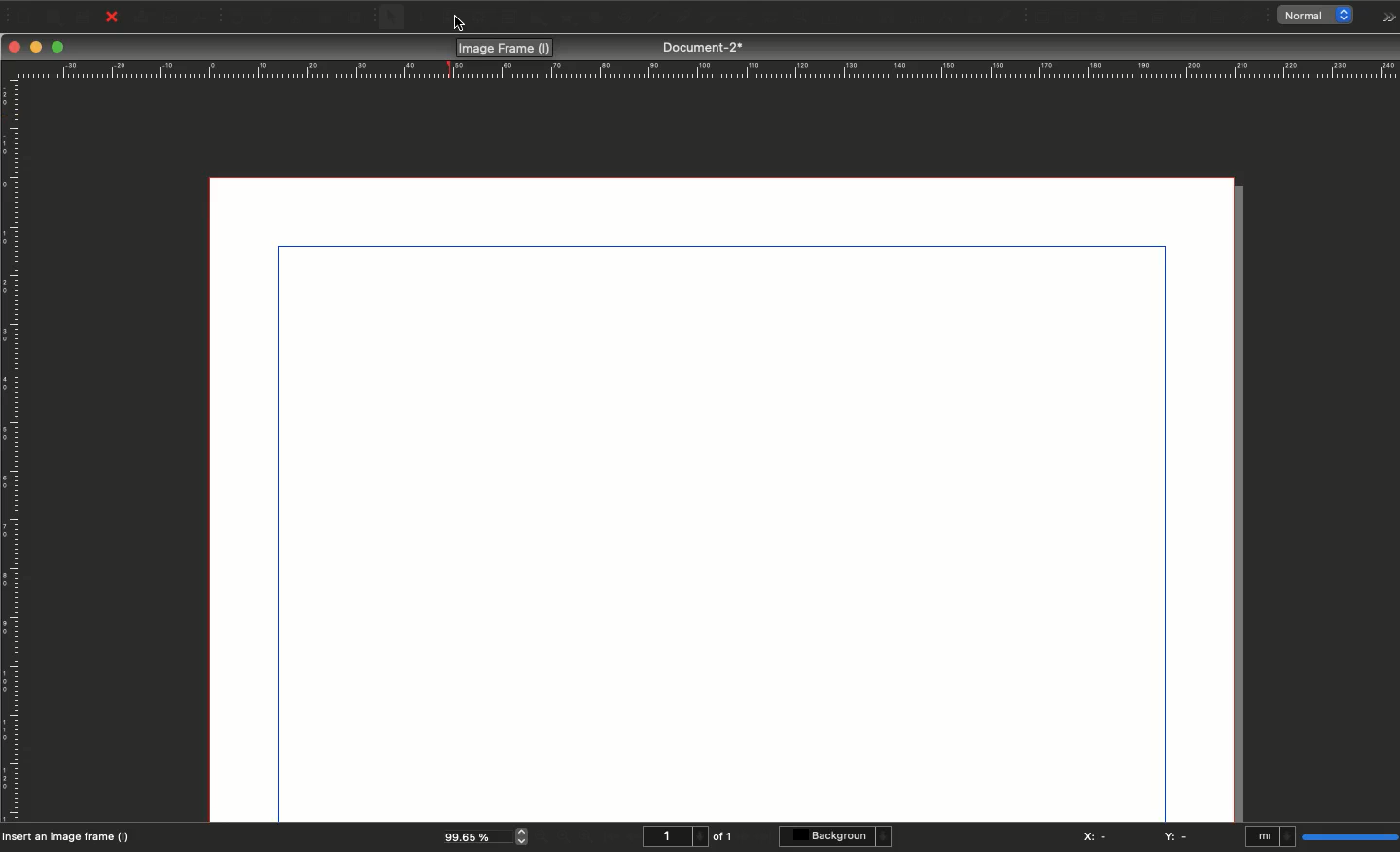 The image size is (1400, 852). Describe the element at coordinates (421, 19) in the screenshot. I see `Text frame` at that location.